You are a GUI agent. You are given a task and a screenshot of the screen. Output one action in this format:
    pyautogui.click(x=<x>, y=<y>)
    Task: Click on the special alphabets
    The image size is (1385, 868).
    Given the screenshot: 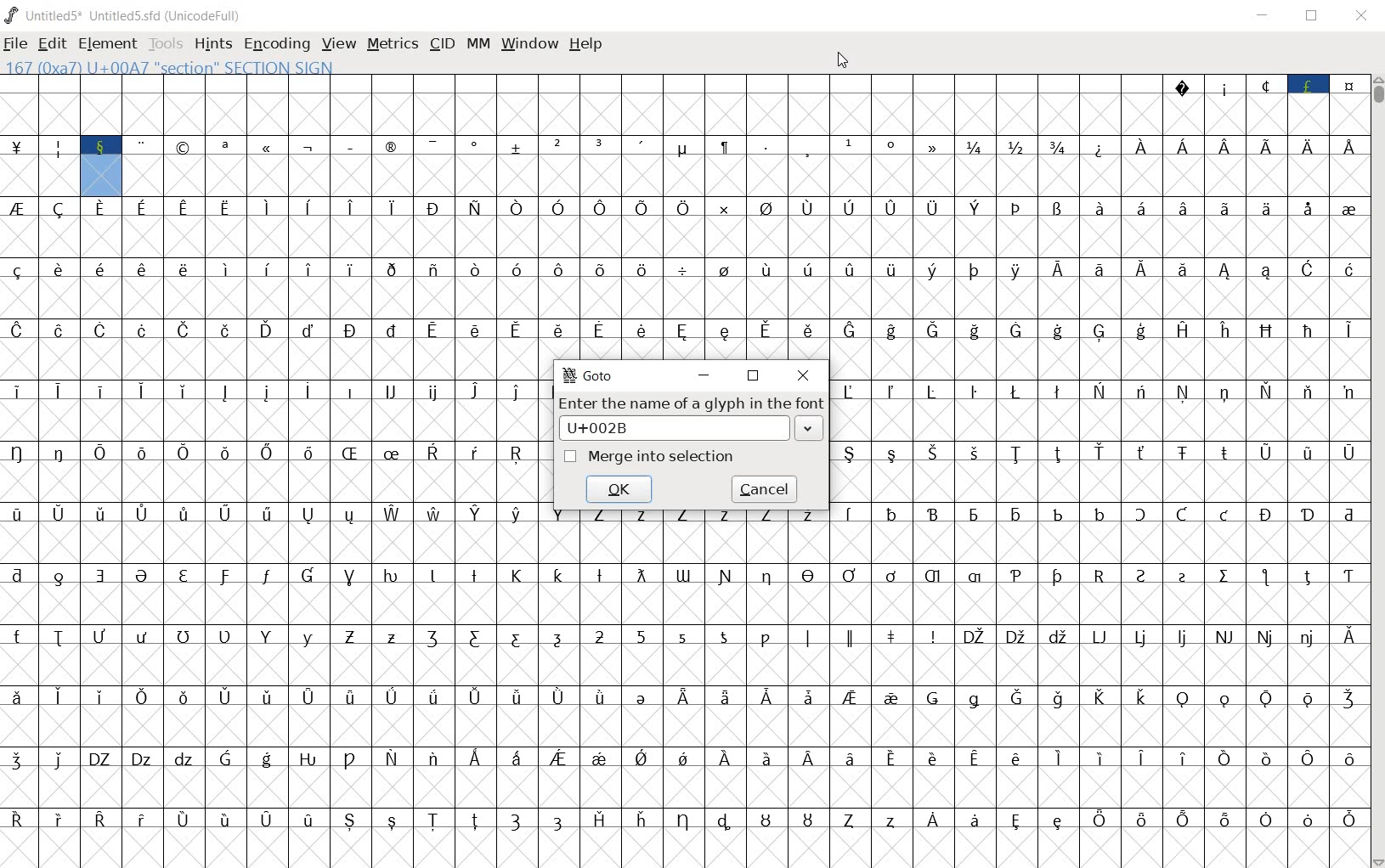 What is the action you would take?
    pyautogui.click(x=1120, y=655)
    